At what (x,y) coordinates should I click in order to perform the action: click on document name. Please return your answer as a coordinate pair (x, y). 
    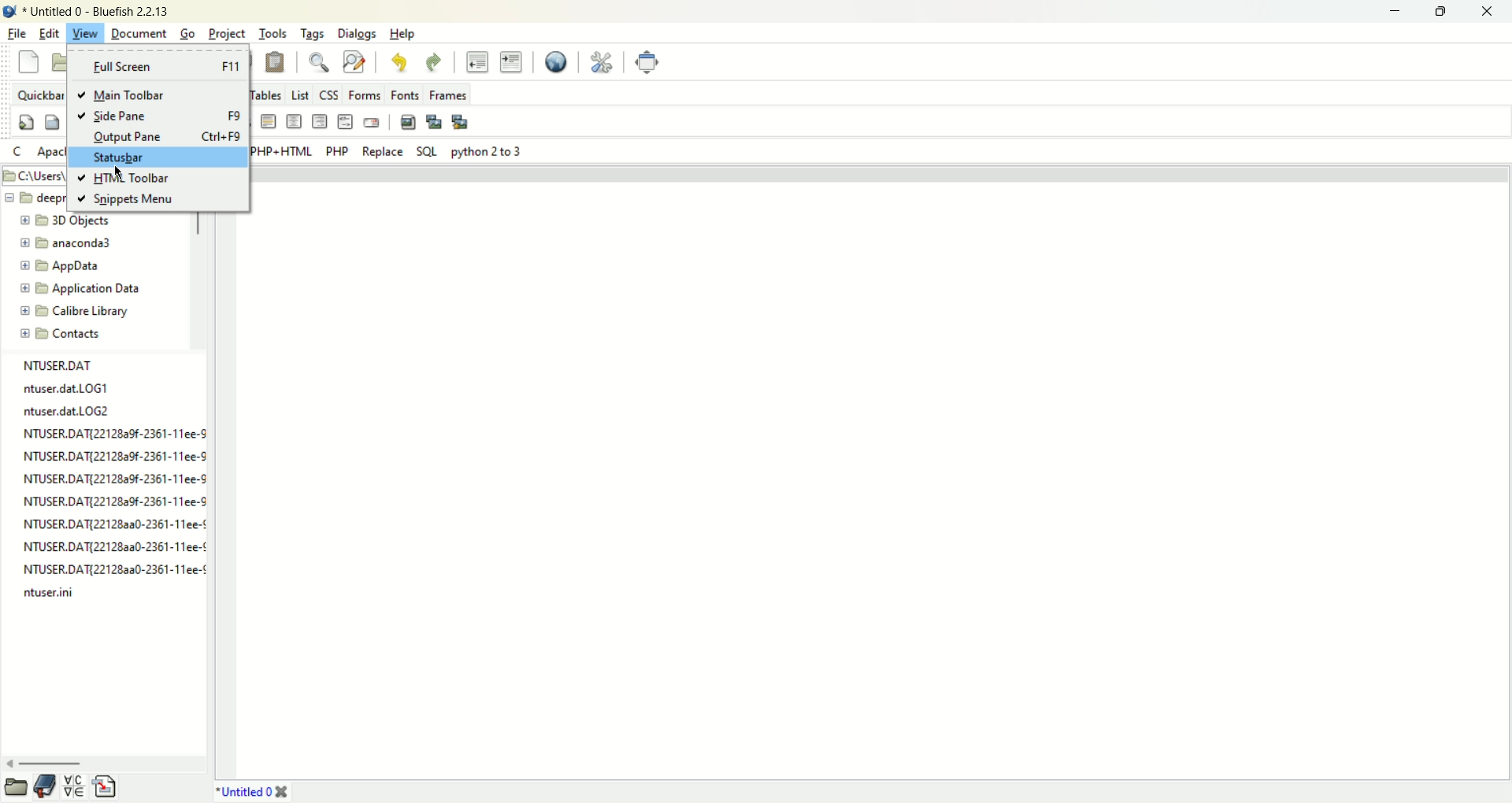
    Looking at the image, I should click on (102, 9).